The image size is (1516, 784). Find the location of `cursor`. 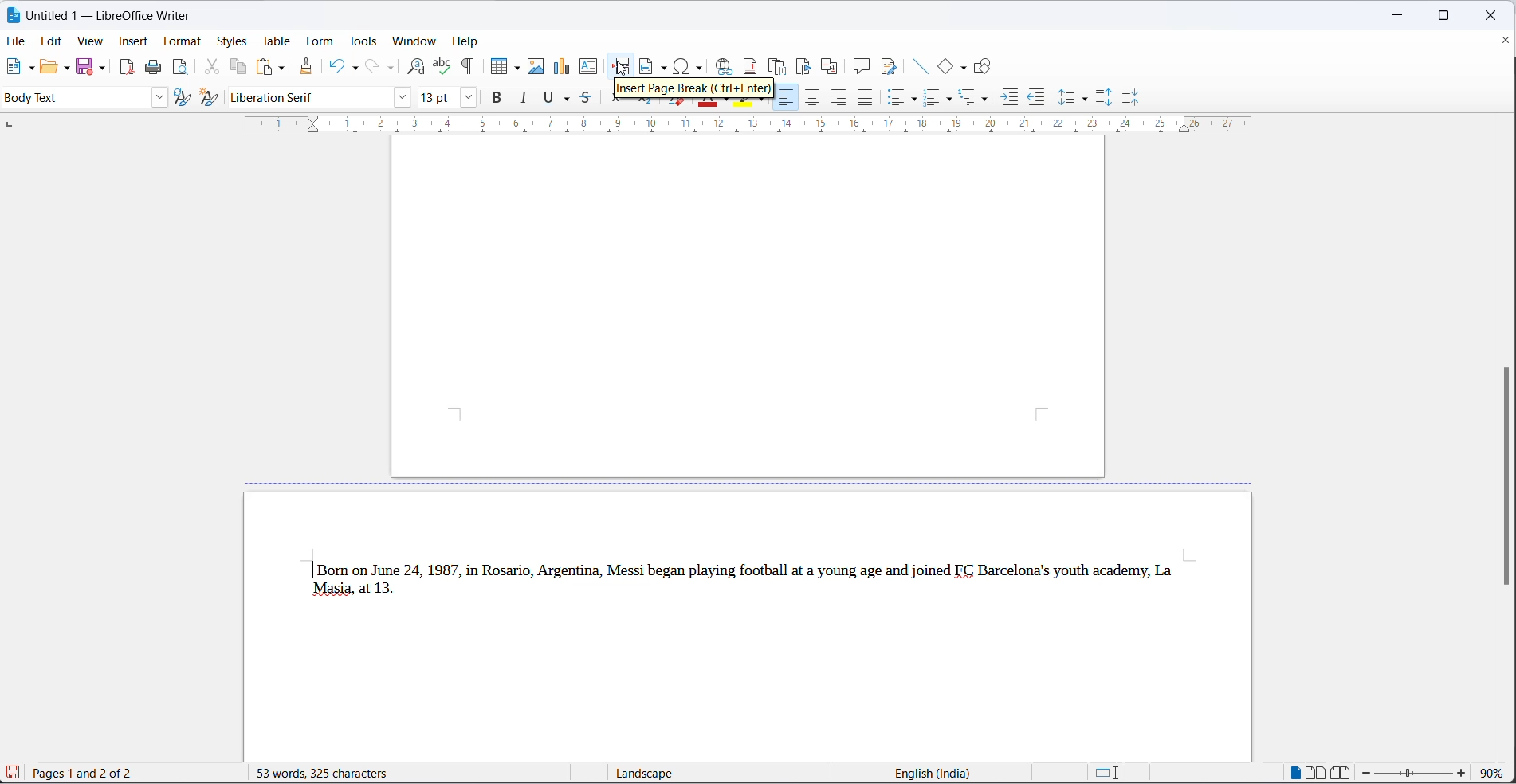

cursor is located at coordinates (621, 69).